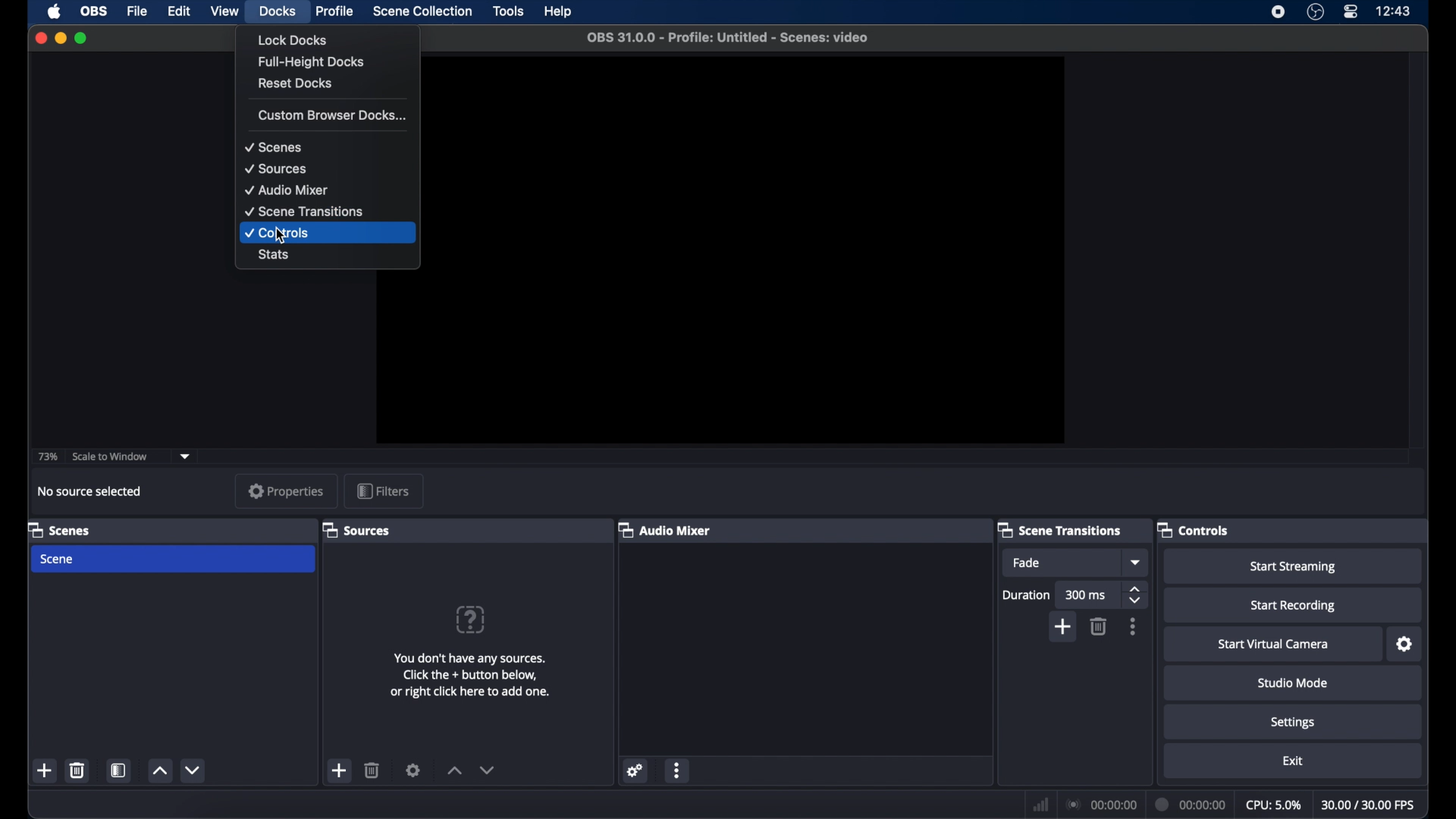  I want to click on dropdown, so click(186, 456).